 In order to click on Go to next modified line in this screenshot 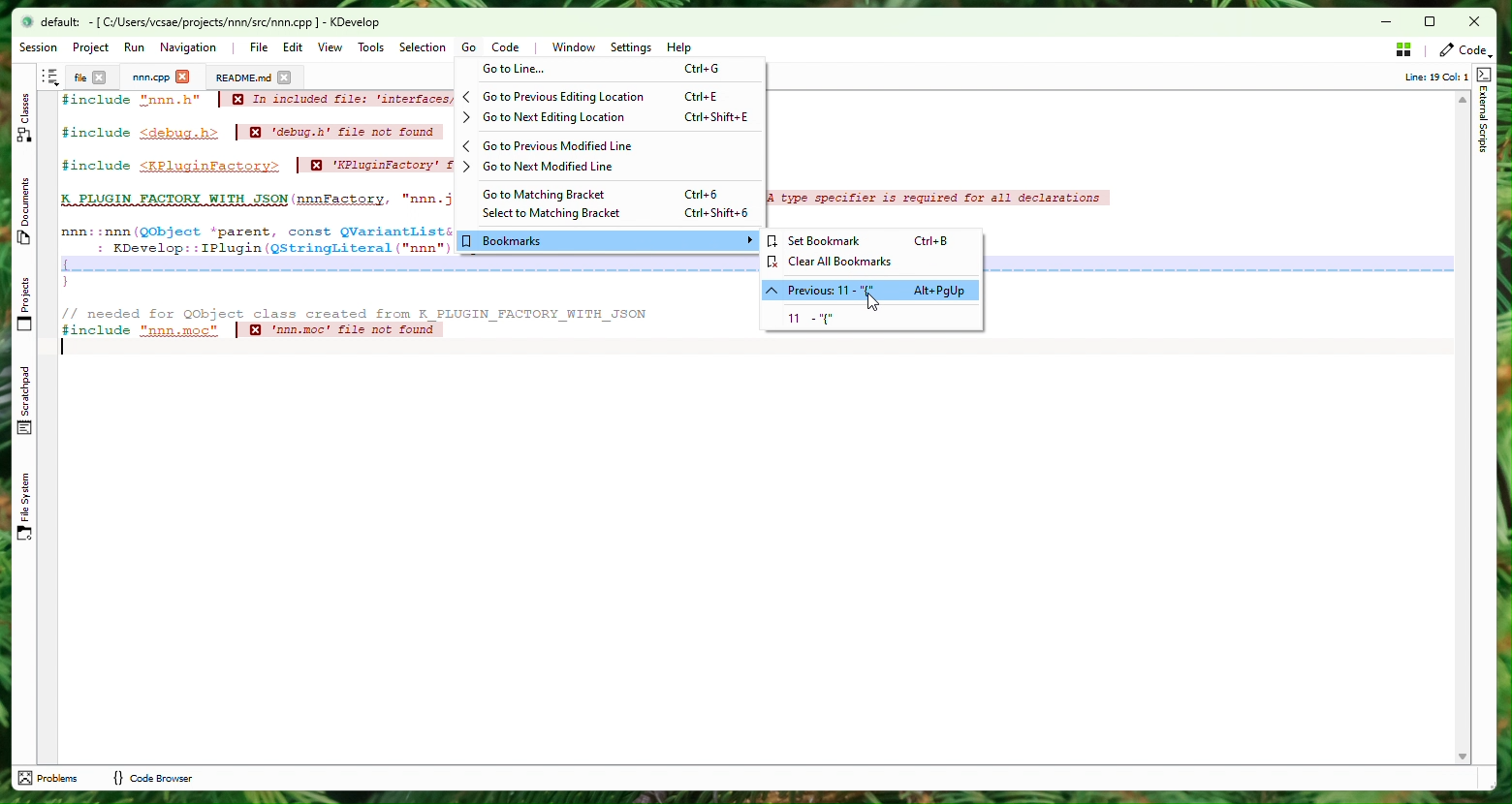, I will do `click(609, 169)`.